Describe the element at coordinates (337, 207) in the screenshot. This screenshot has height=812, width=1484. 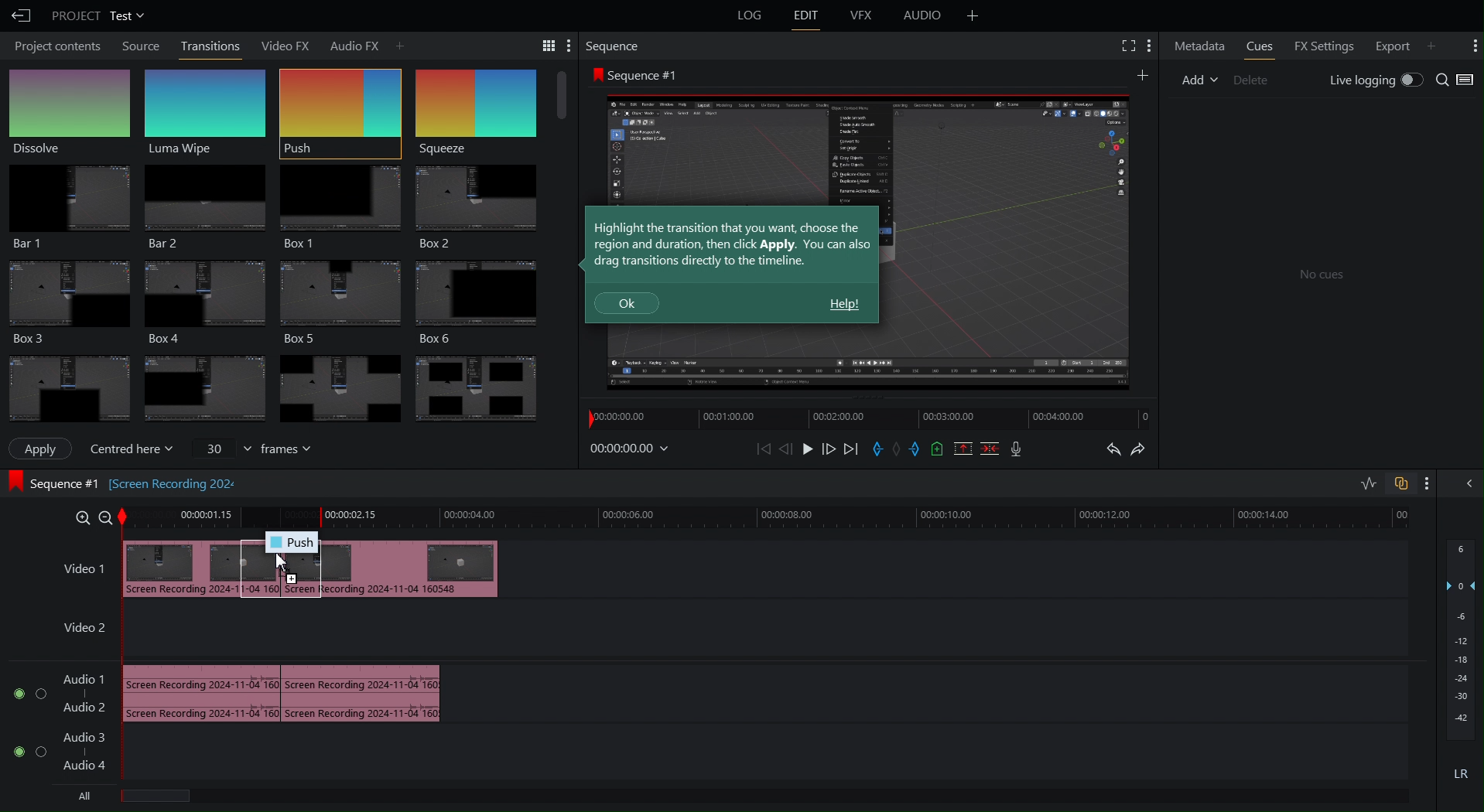
I see `Box 1` at that location.